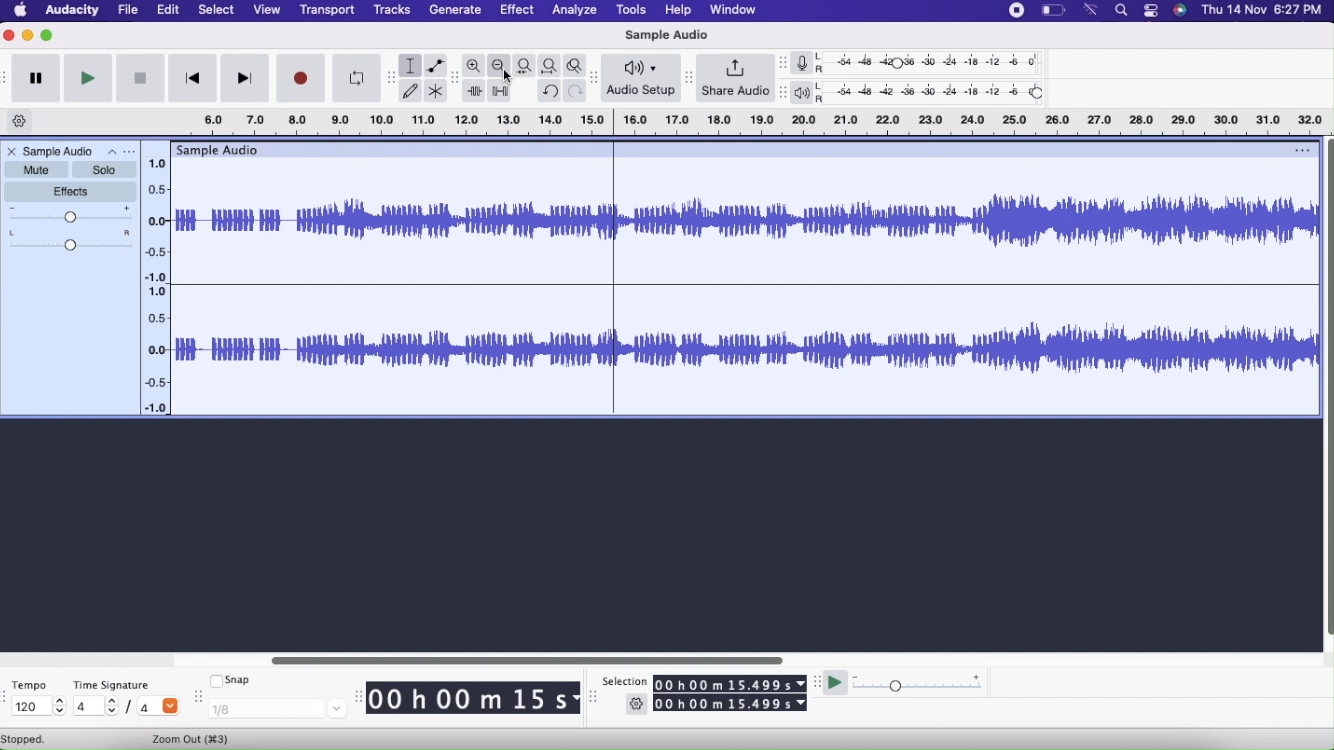 The width and height of the screenshot is (1334, 750). I want to click on Slider, so click(533, 657).